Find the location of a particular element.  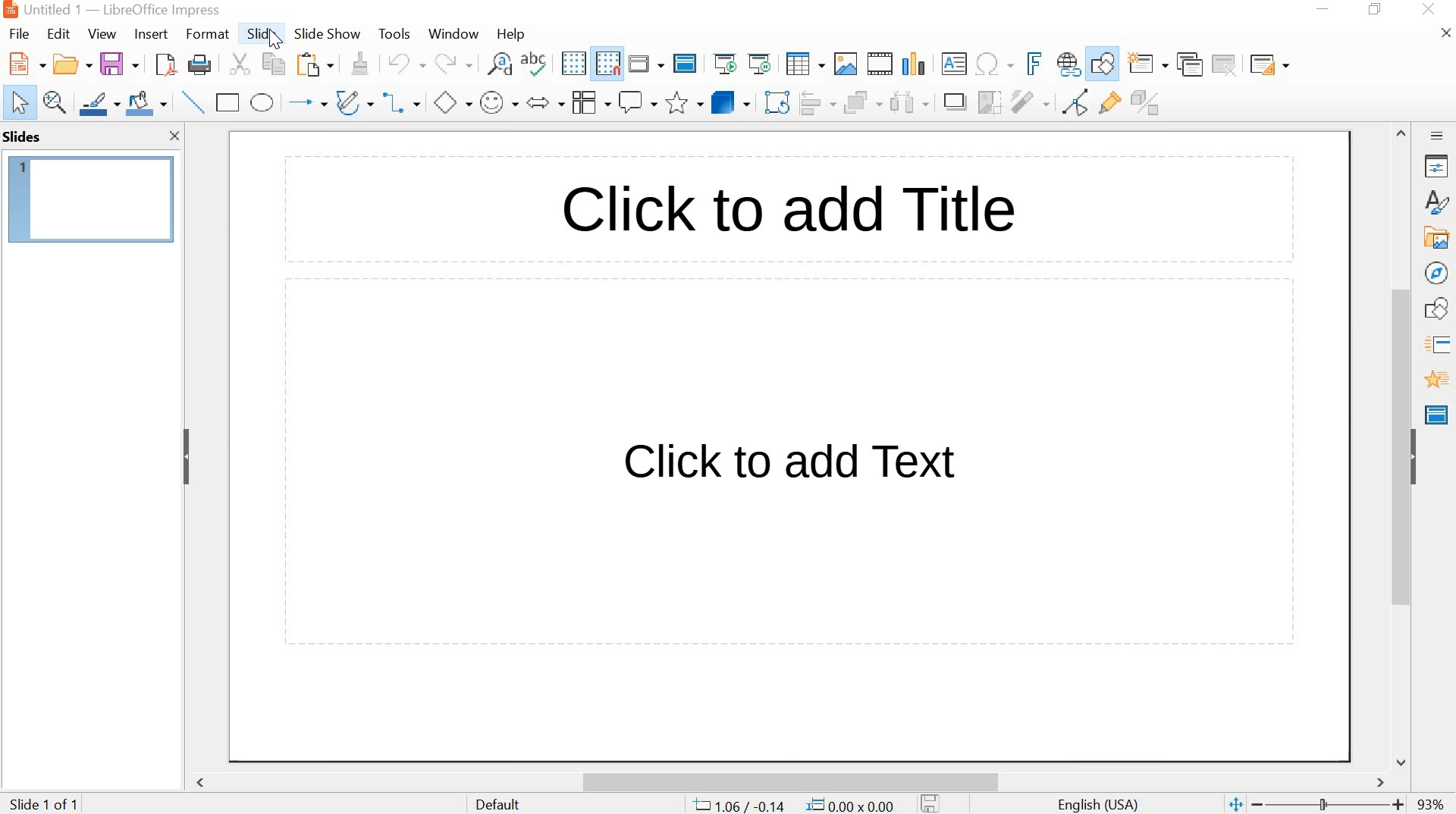

NEW SLIDE is located at coordinates (1148, 63).